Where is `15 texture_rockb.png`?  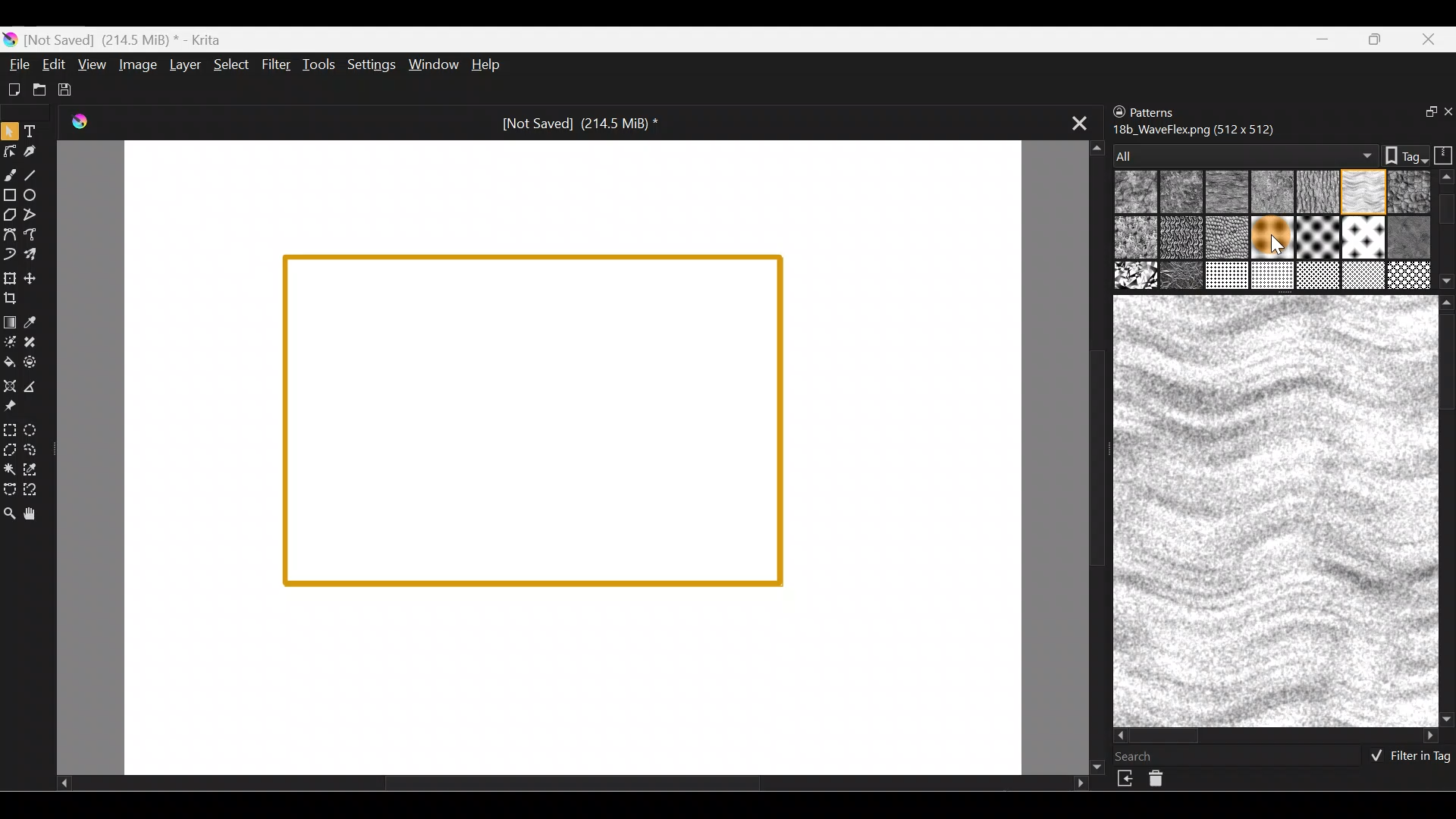
15 texture_rockb.png is located at coordinates (1183, 277).